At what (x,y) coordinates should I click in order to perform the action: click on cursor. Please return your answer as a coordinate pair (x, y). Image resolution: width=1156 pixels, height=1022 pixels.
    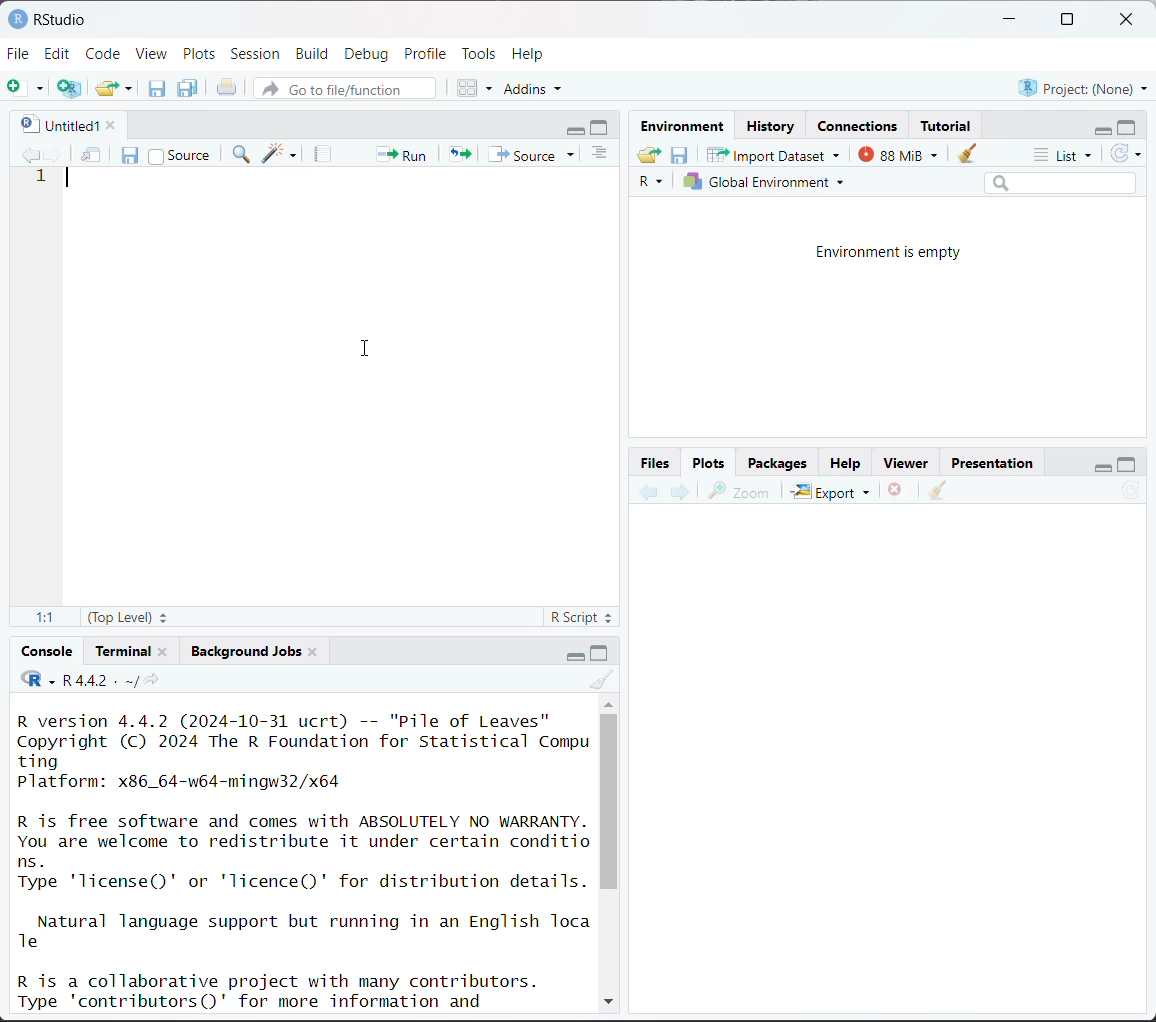
    Looking at the image, I should click on (369, 349).